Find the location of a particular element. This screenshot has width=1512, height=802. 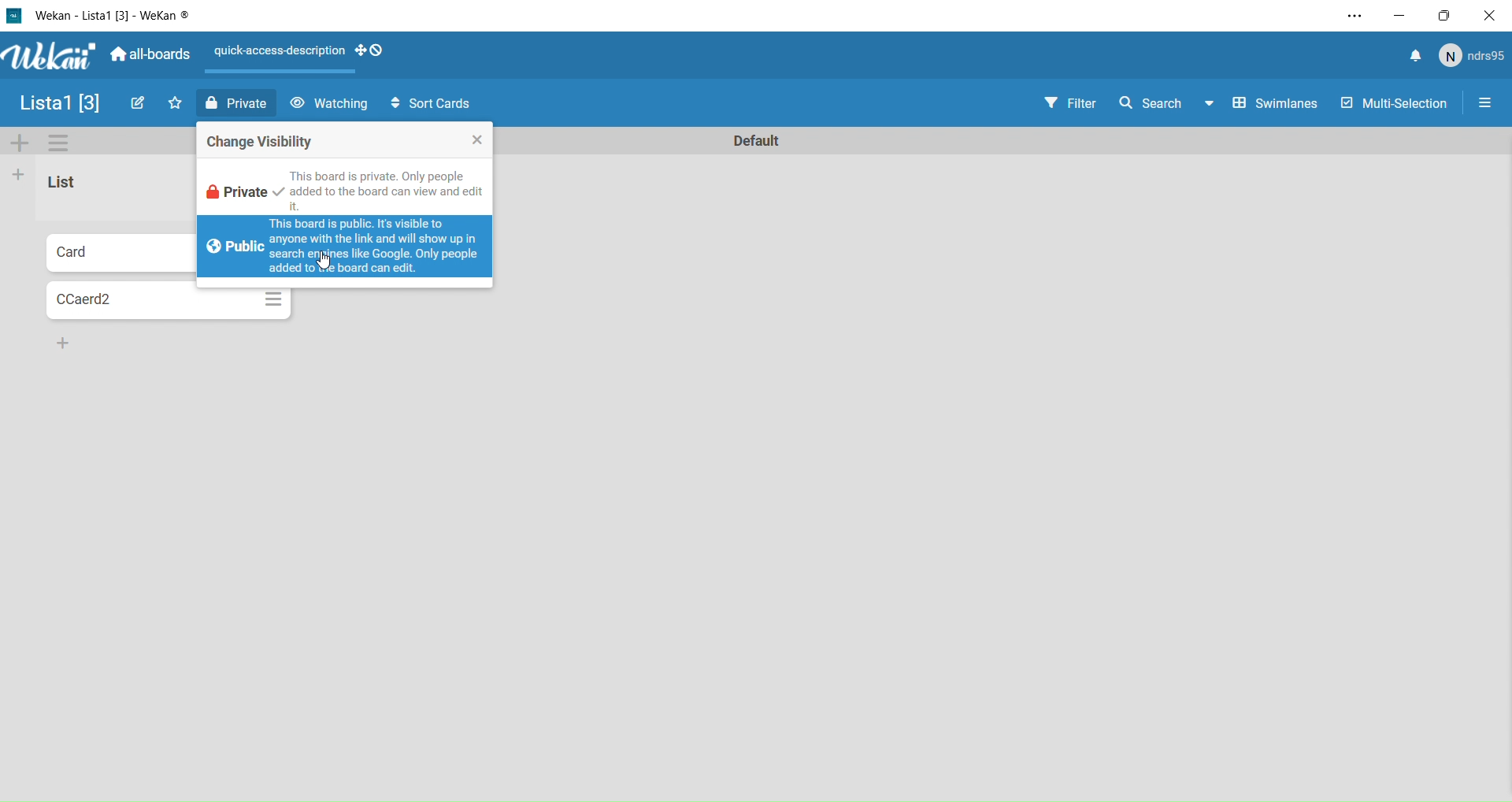

Add is located at coordinates (19, 176).